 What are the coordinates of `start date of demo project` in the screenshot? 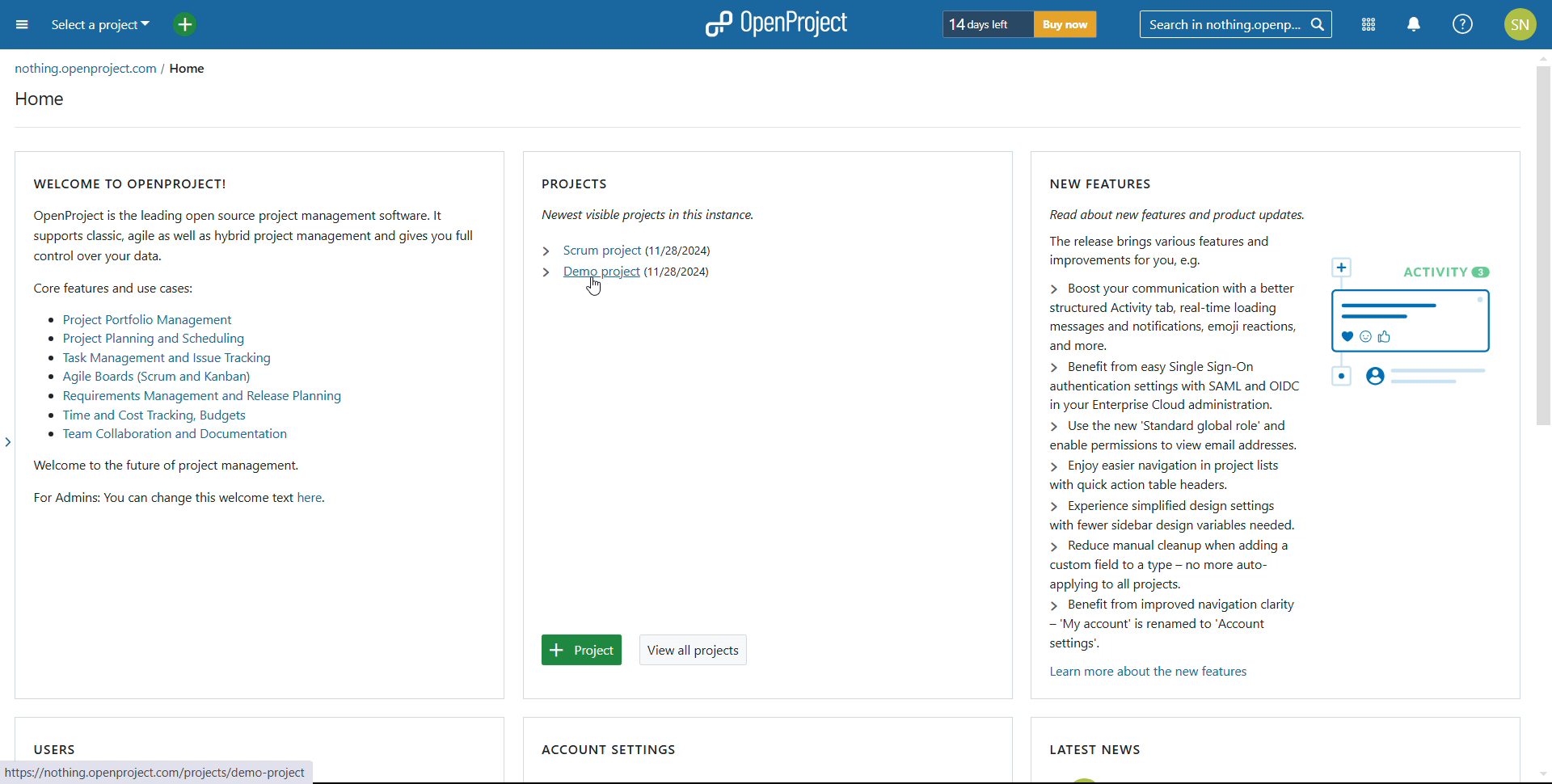 It's located at (677, 272).